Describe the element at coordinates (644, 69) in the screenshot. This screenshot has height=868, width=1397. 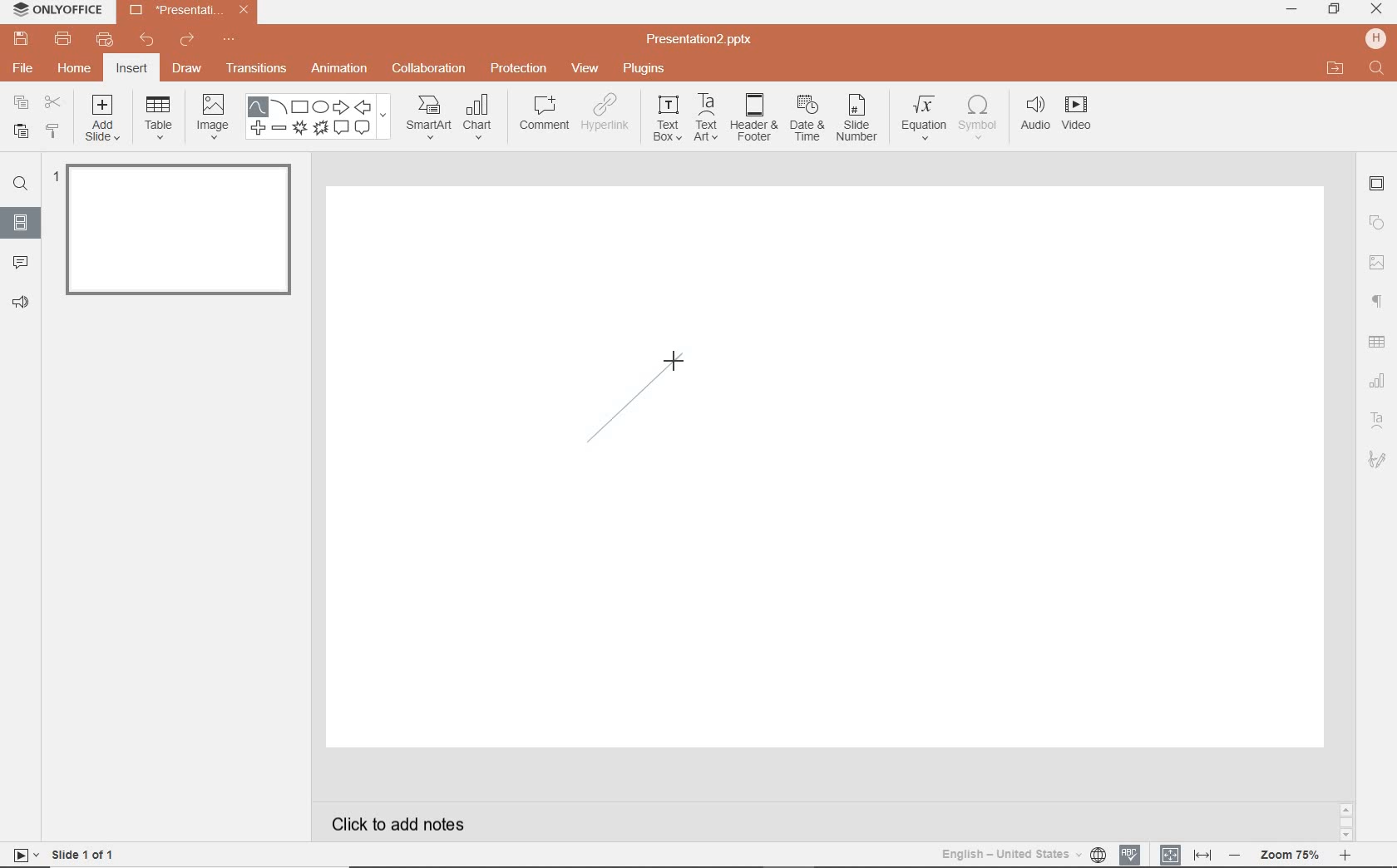
I see `PLUGINS` at that location.